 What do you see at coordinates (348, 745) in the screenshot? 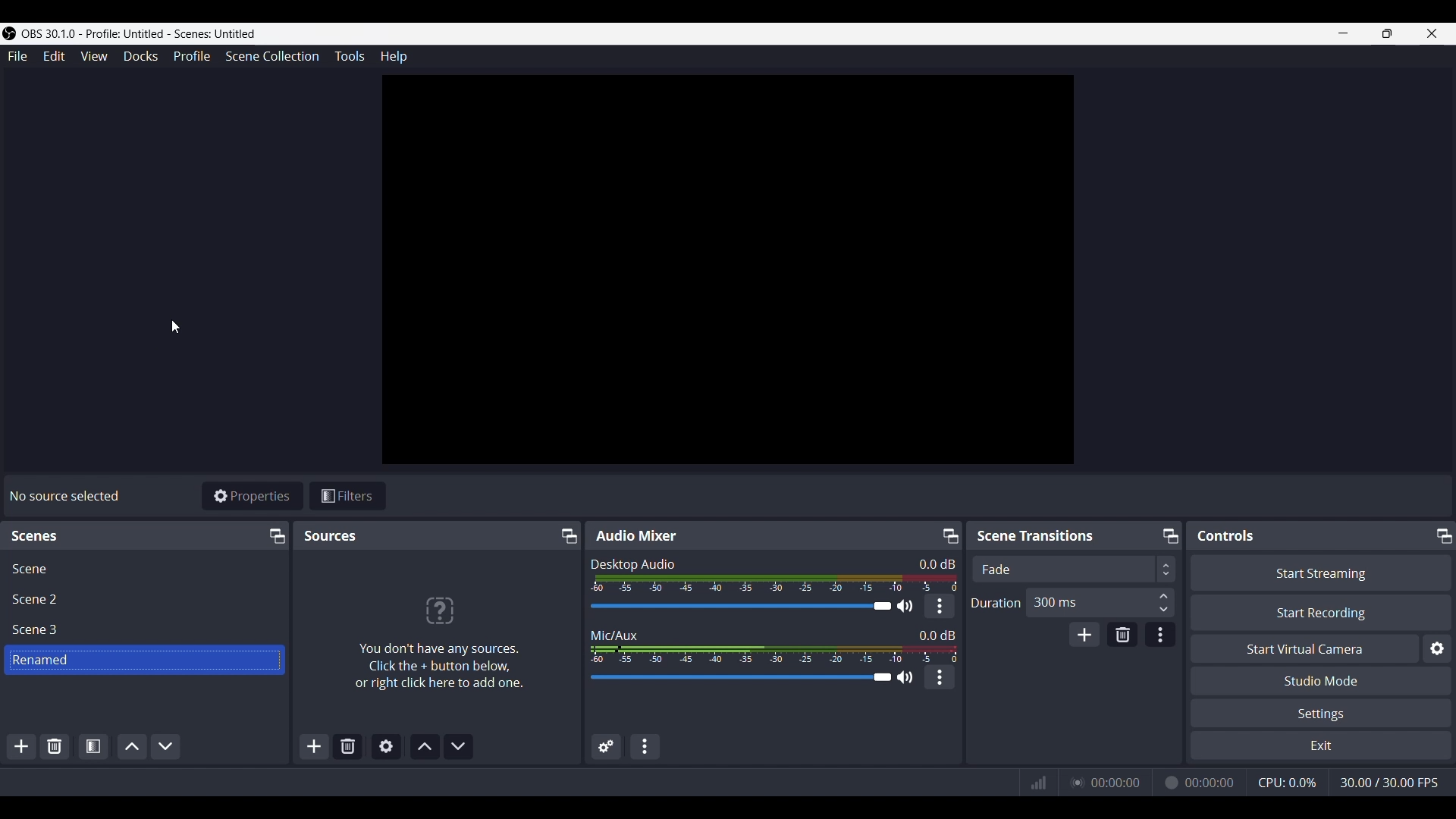
I see `Remove selected scene(s)` at bounding box center [348, 745].